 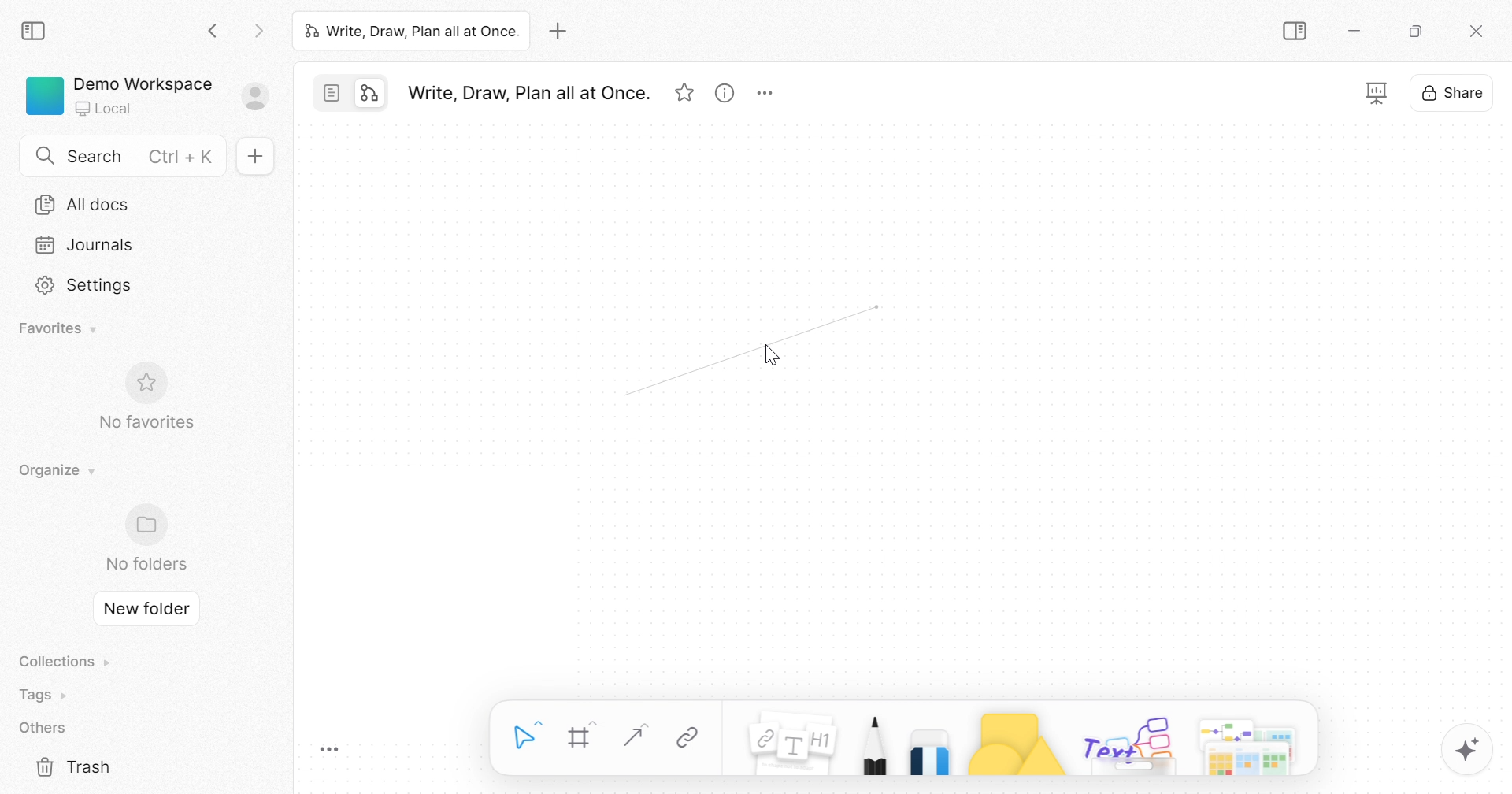 I want to click on Forward, so click(x=258, y=33).